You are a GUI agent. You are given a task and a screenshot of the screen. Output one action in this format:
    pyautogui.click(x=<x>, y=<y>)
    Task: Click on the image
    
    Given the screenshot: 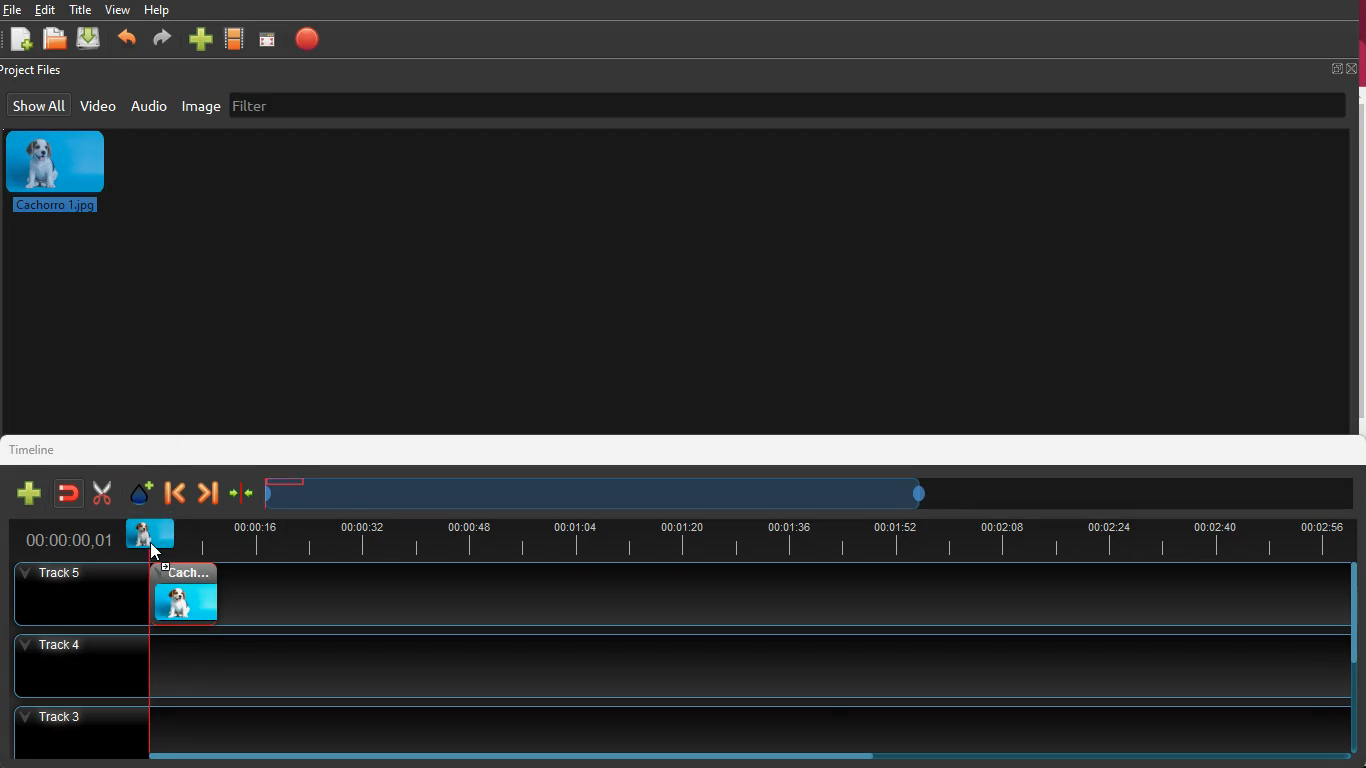 What is the action you would take?
    pyautogui.click(x=67, y=176)
    